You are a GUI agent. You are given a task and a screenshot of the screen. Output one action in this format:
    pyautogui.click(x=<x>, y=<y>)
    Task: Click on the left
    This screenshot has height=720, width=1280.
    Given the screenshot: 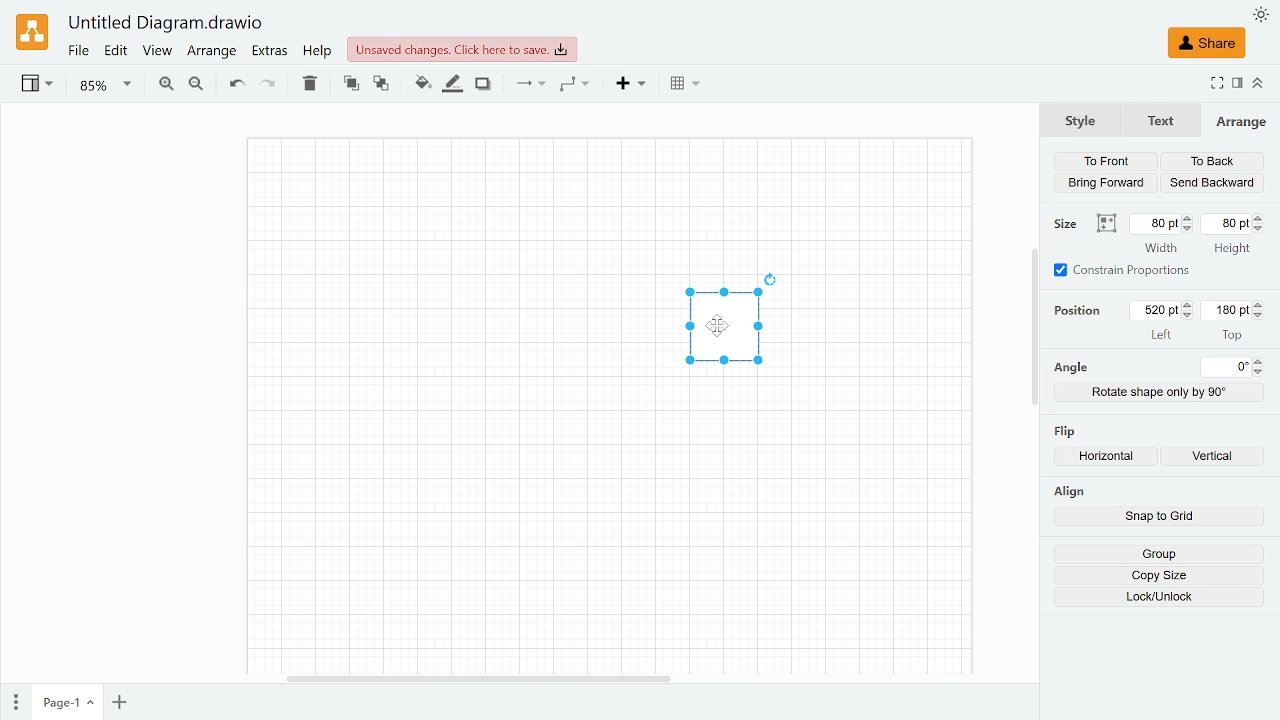 What is the action you would take?
    pyautogui.click(x=1162, y=334)
    